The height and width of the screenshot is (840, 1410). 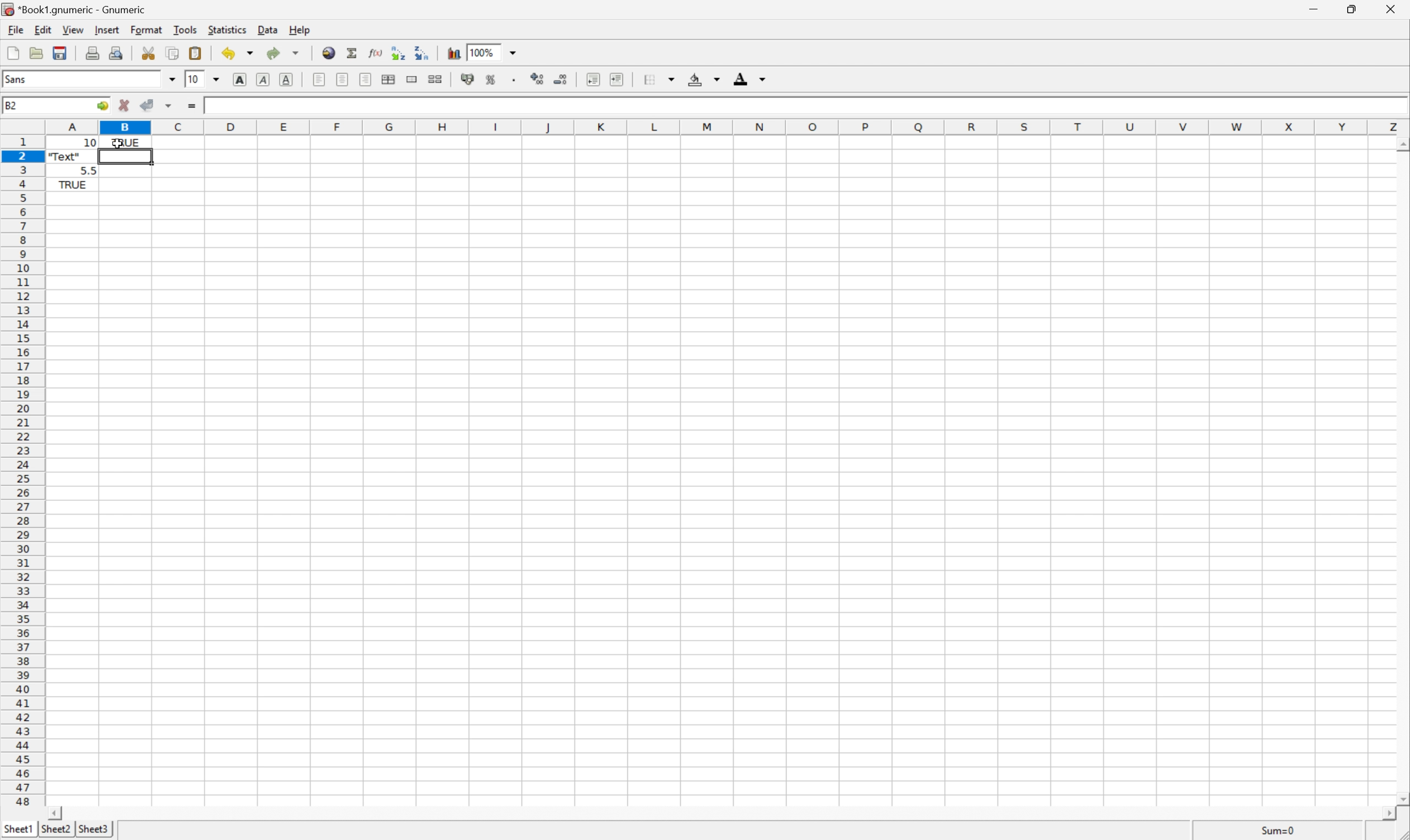 What do you see at coordinates (752, 78) in the screenshot?
I see `Foreground` at bounding box center [752, 78].